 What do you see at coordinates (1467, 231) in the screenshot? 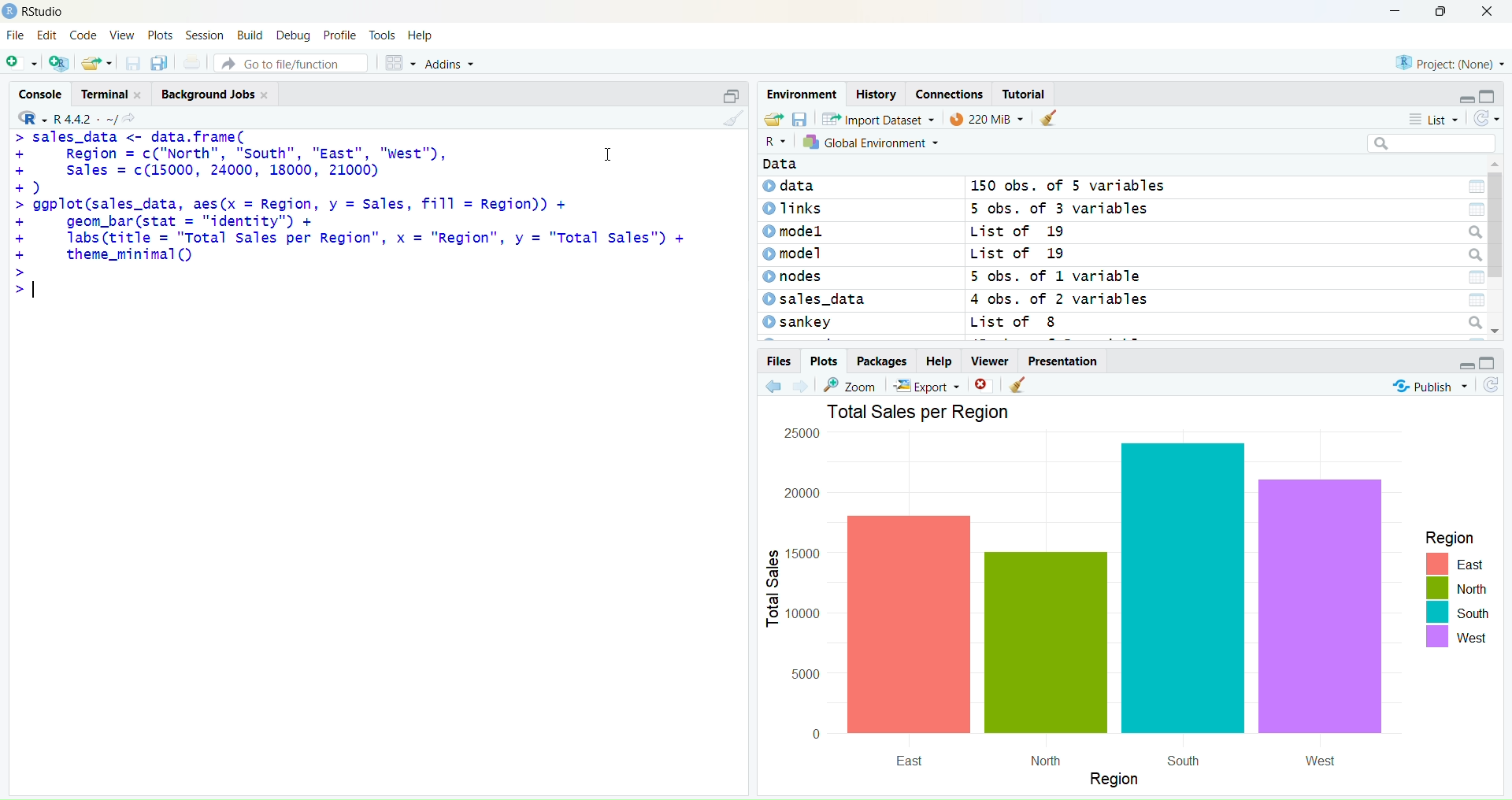
I see `search` at bounding box center [1467, 231].